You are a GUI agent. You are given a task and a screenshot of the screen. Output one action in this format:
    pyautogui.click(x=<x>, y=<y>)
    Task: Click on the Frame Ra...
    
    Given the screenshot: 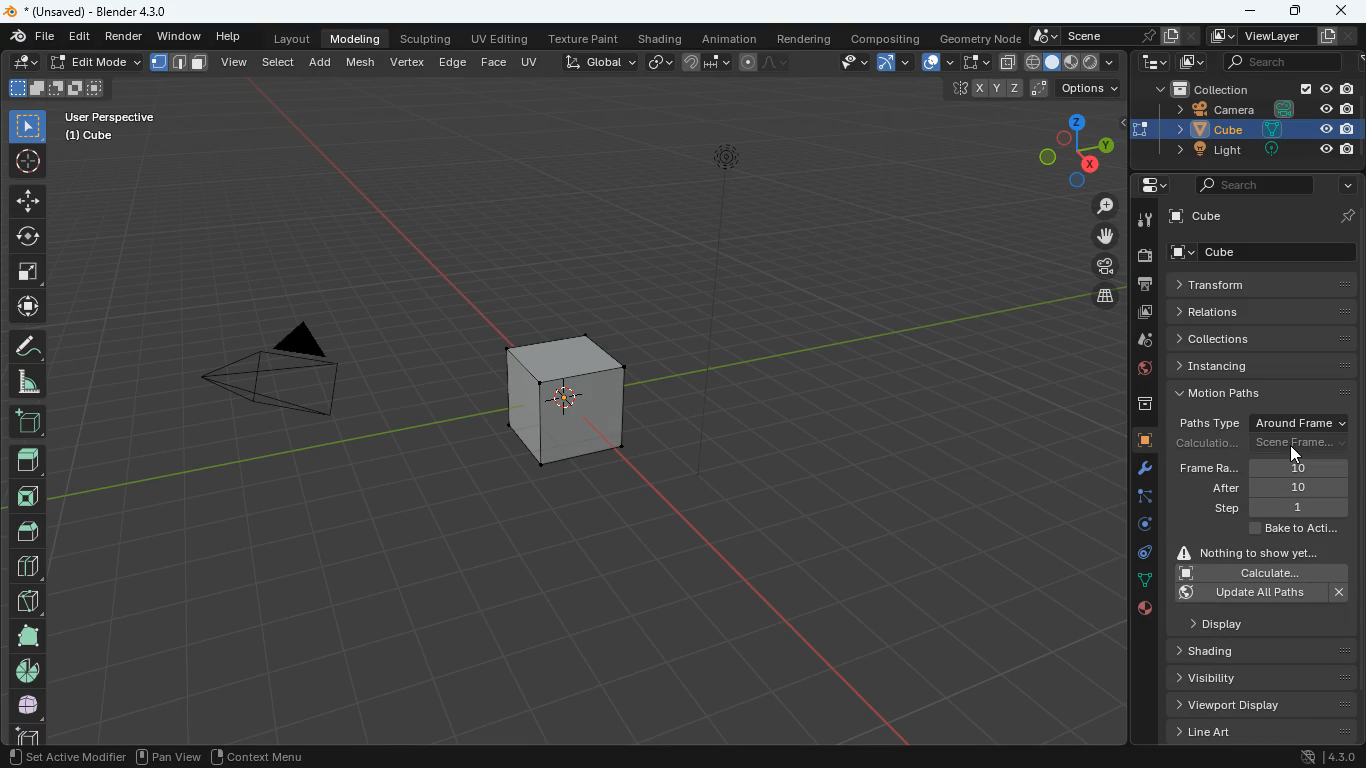 What is the action you would take?
    pyautogui.click(x=1209, y=468)
    